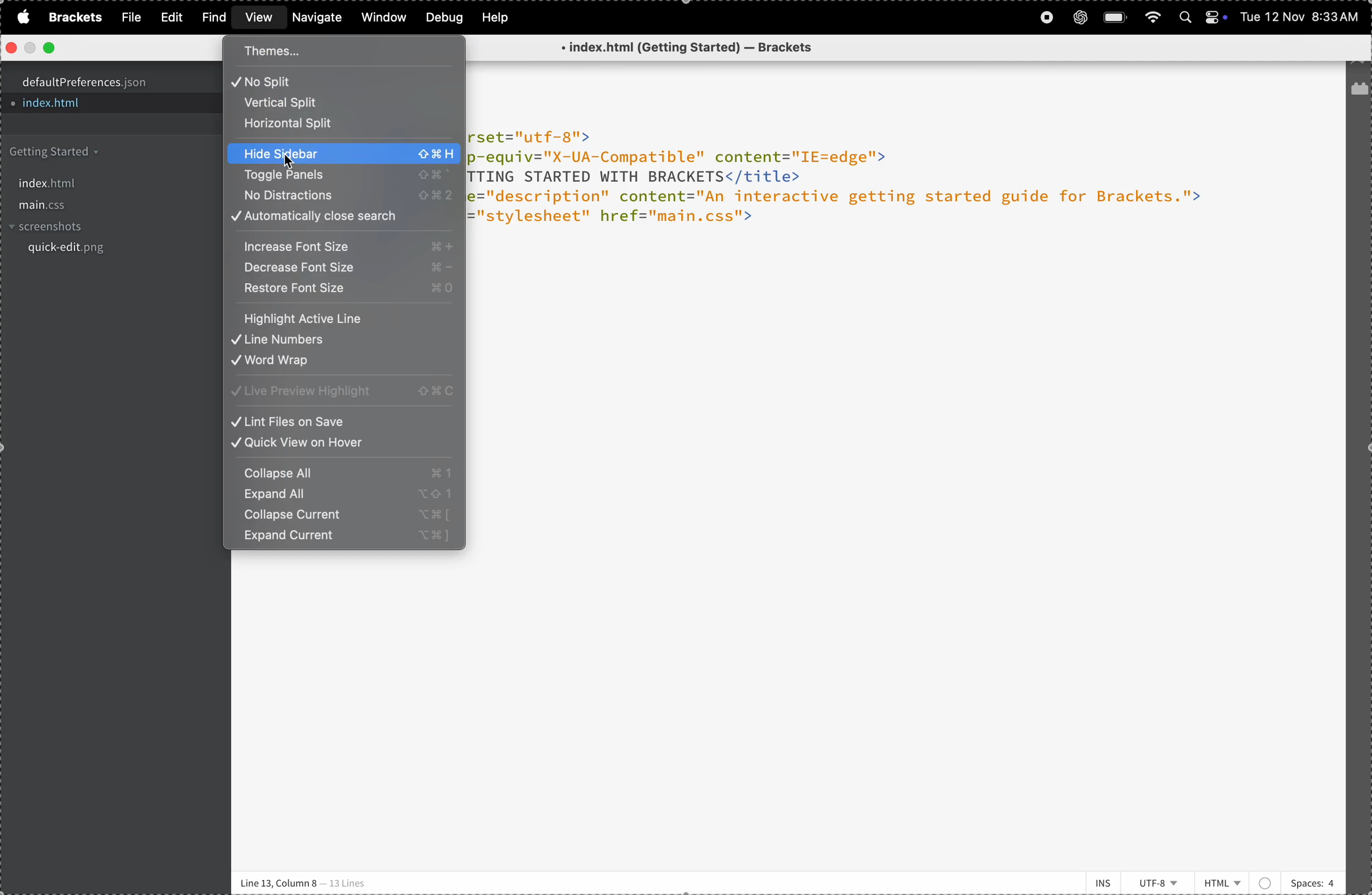 This screenshot has height=895, width=1372. What do you see at coordinates (342, 218) in the screenshot?
I see `automatically close serach` at bounding box center [342, 218].